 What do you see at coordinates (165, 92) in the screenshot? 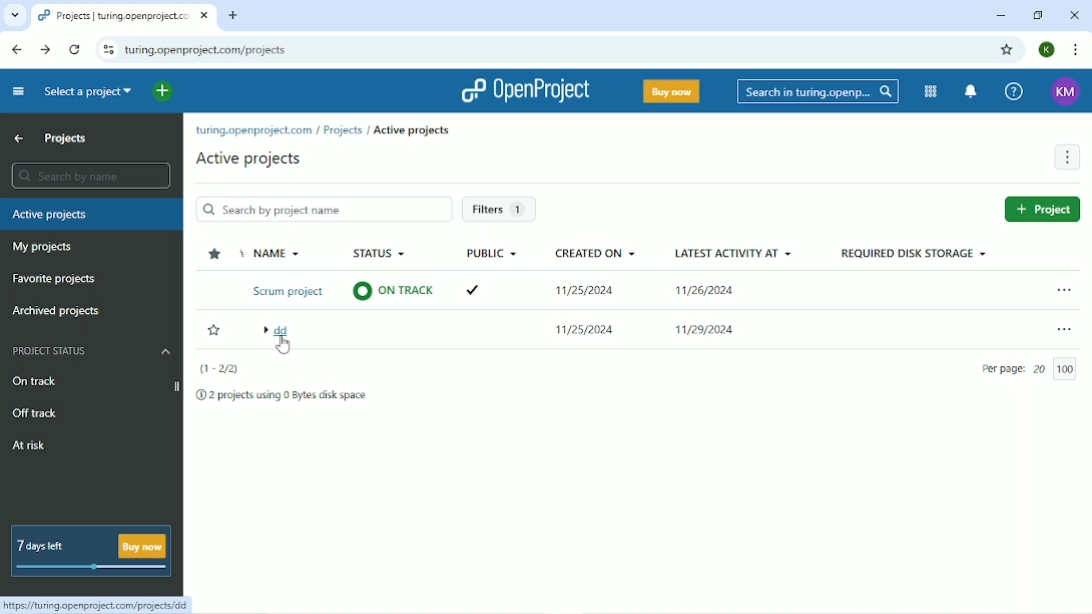
I see `Open quick add menu` at bounding box center [165, 92].